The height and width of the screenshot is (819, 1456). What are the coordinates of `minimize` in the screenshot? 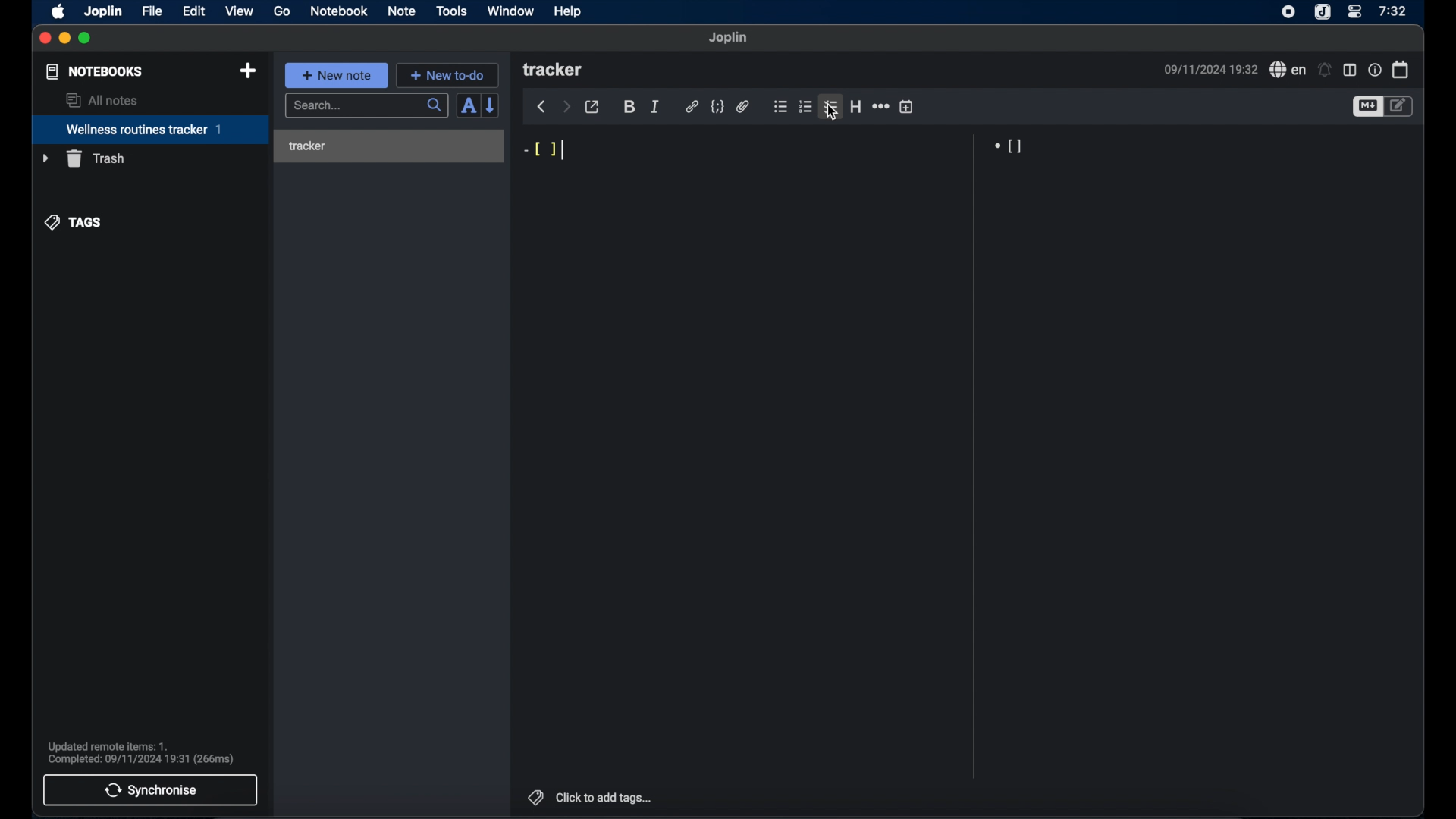 It's located at (65, 39).